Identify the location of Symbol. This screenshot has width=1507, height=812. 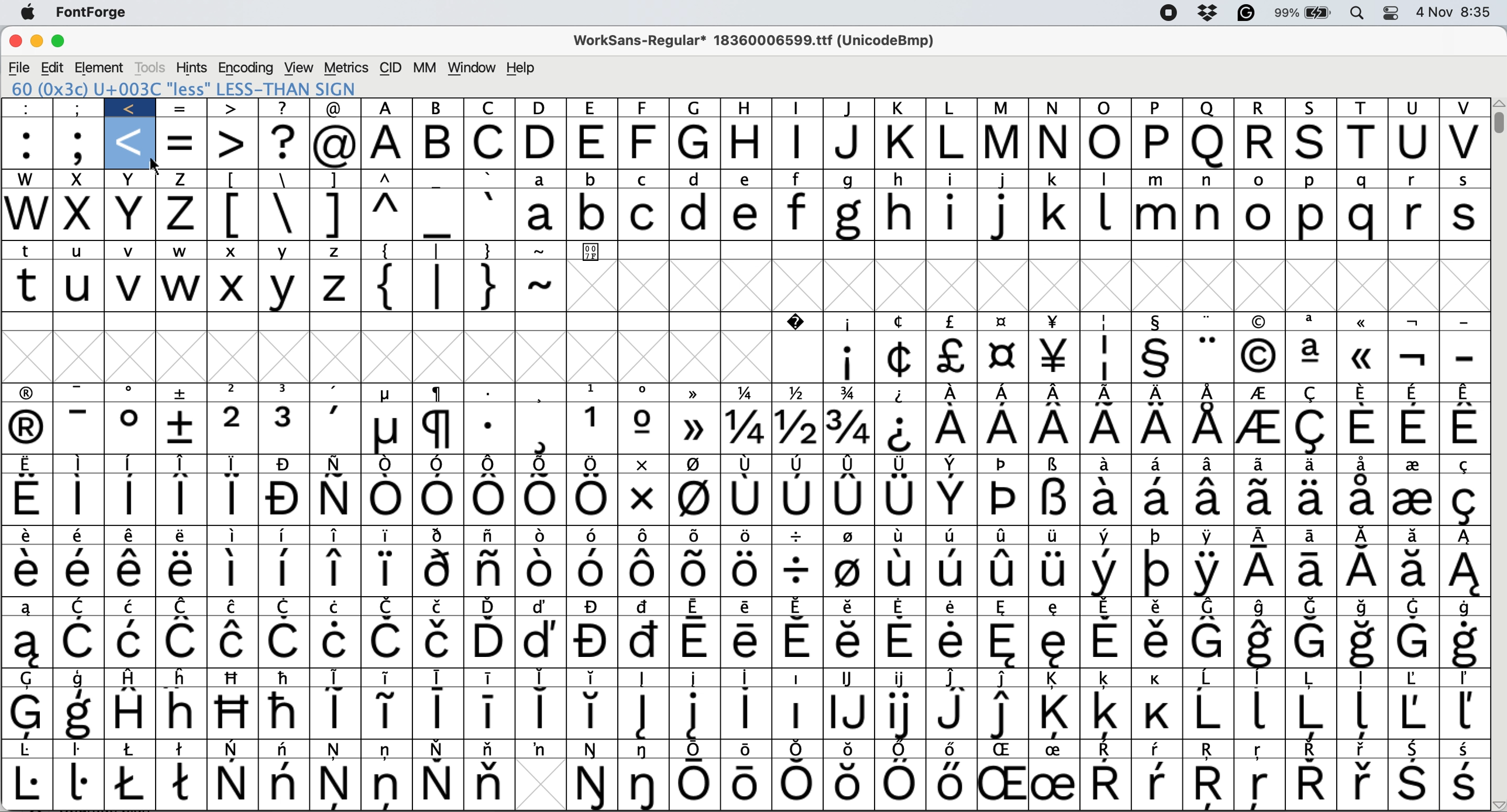
(697, 393).